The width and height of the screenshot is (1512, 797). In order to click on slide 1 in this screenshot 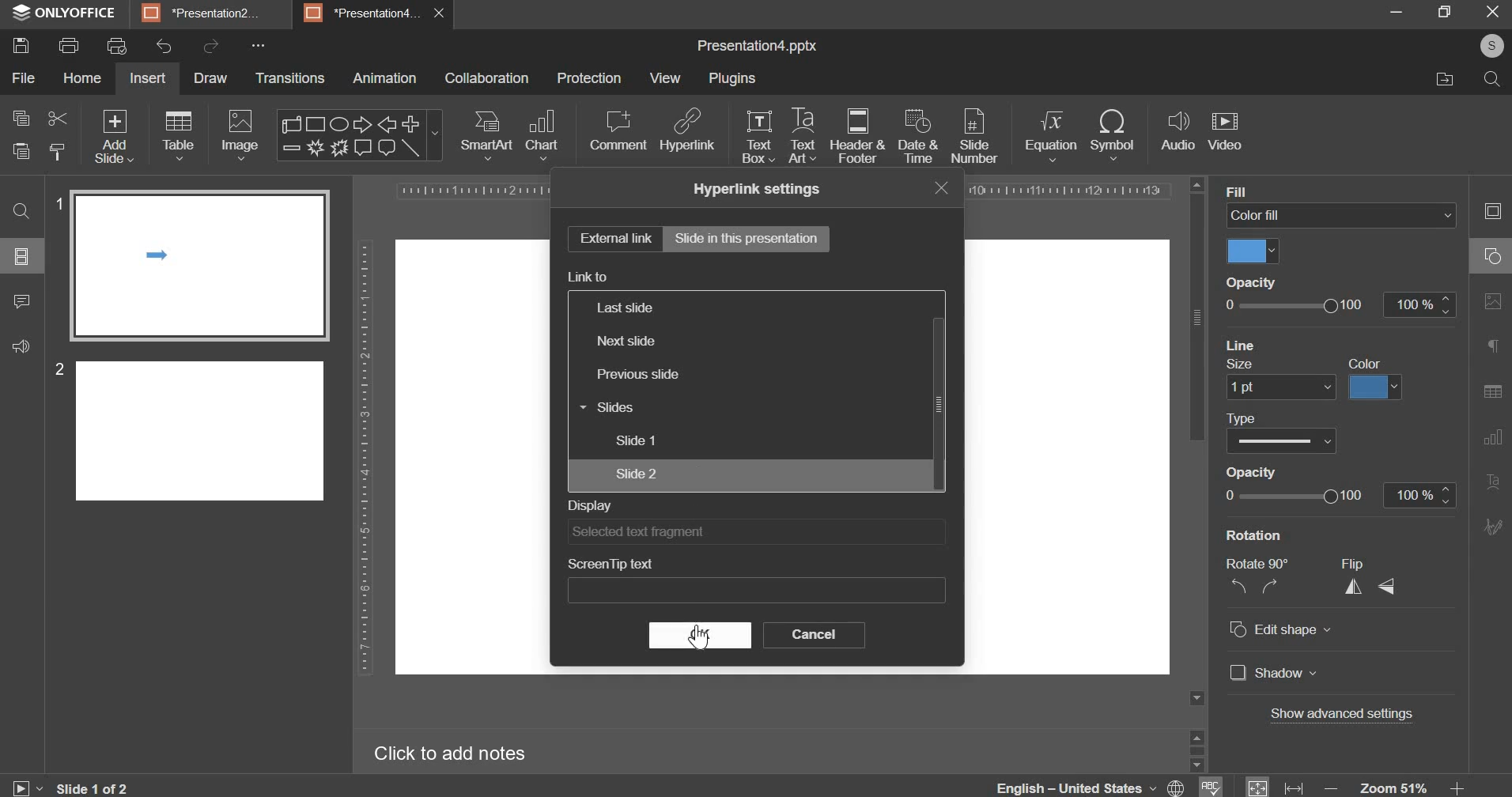, I will do `click(191, 262)`.